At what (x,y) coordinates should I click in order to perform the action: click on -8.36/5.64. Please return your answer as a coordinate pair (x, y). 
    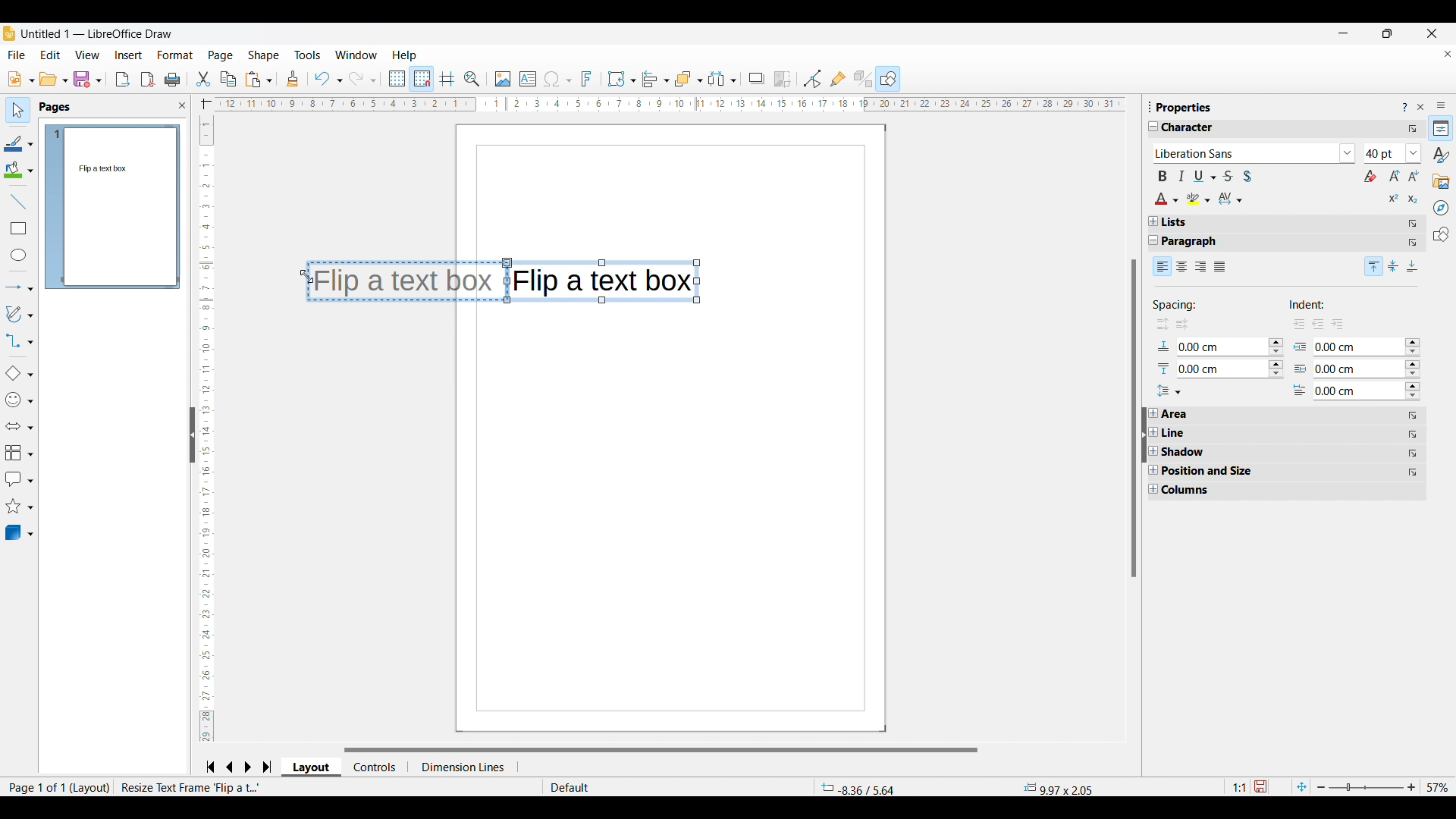
    Looking at the image, I should click on (858, 787).